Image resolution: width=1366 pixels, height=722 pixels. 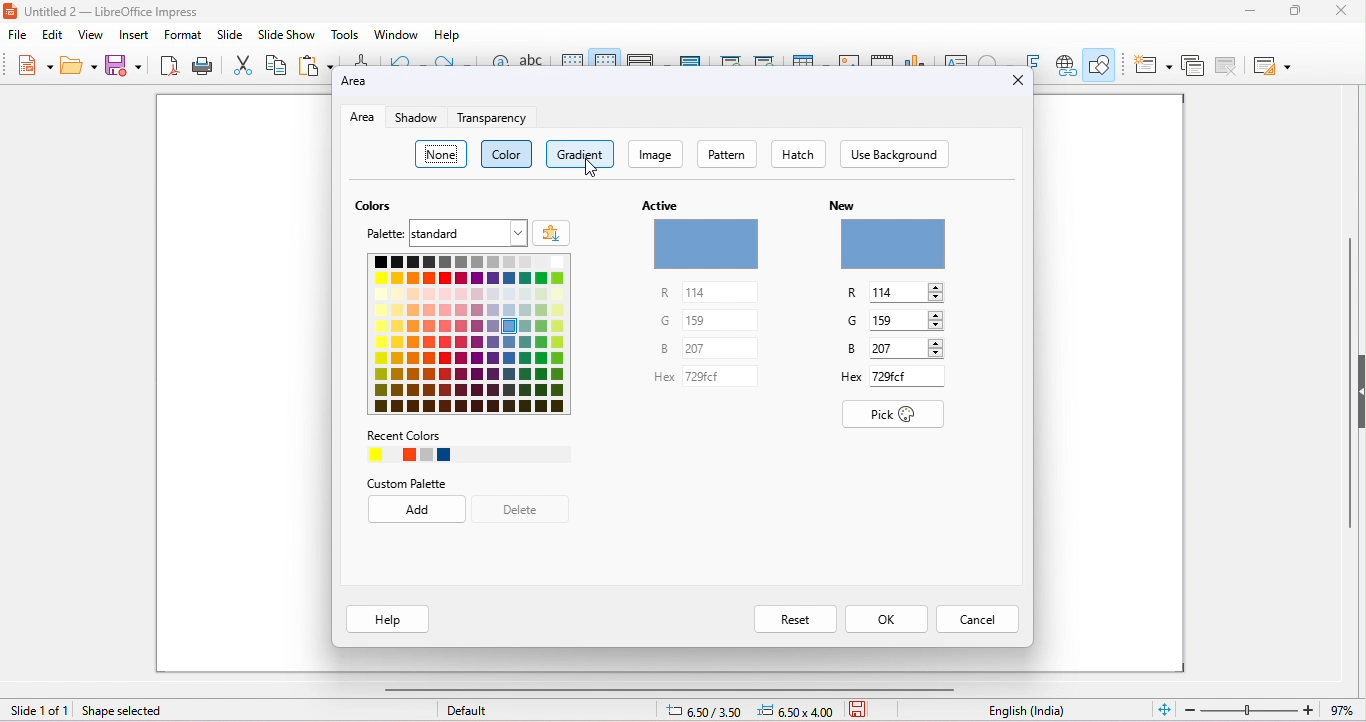 What do you see at coordinates (133, 711) in the screenshot?
I see `shape selected` at bounding box center [133, 711].